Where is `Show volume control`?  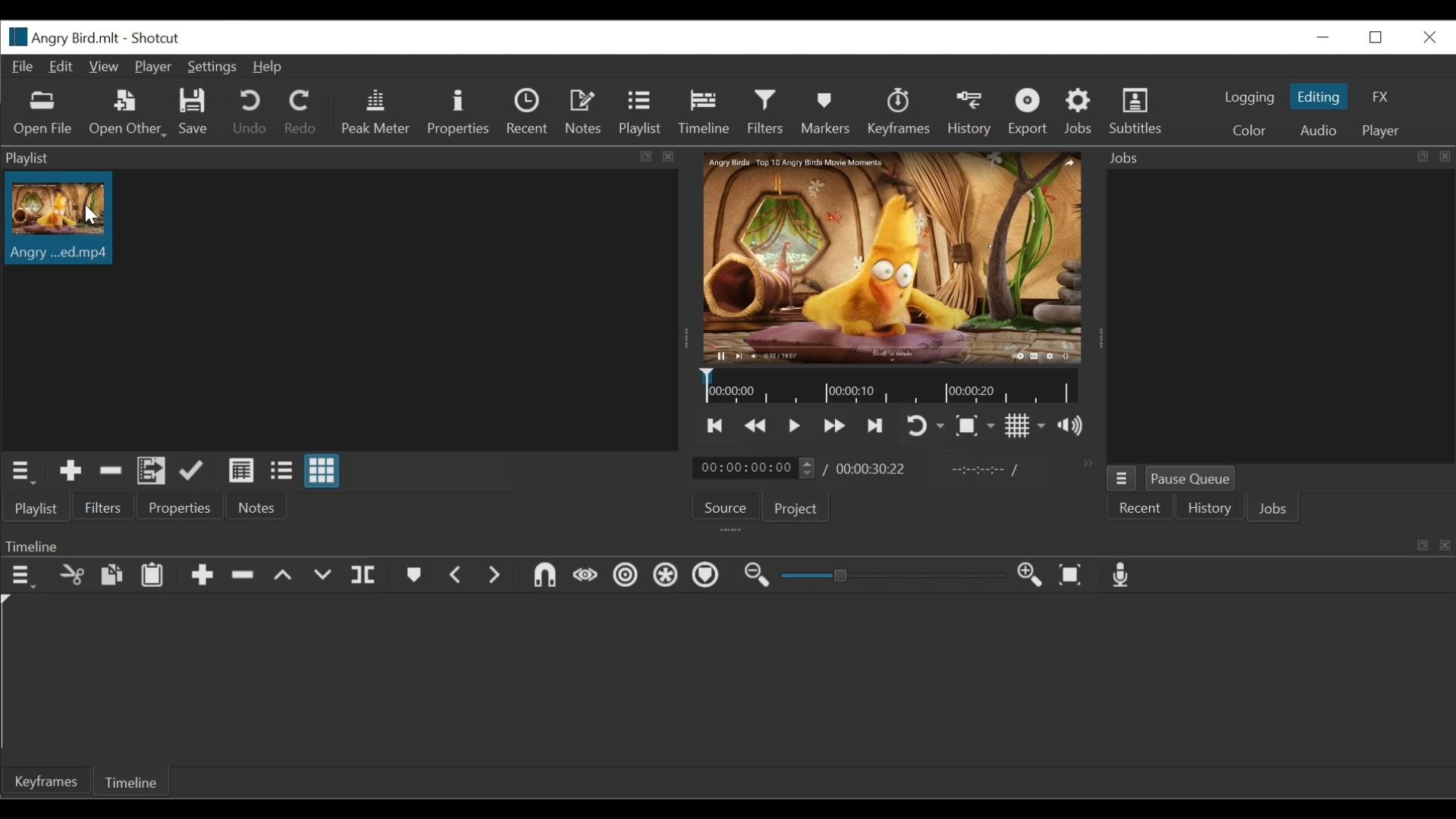
Show volume control is located at coordinates (1070, 425).